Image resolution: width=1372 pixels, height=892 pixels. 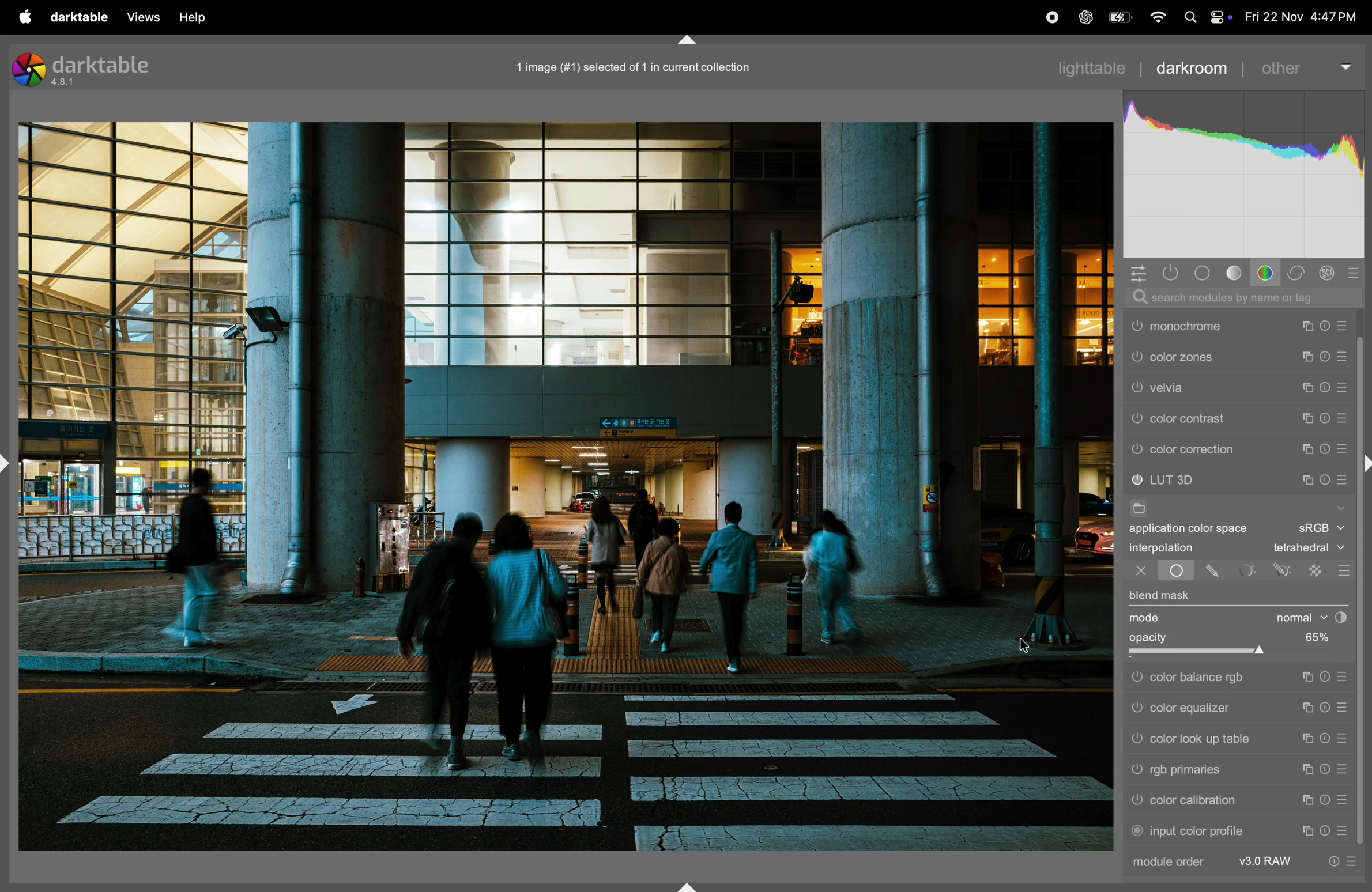 What do you see at coordinates (1134, 272) in the screenshot?
I see `quick access panel` at bounding box center [1134, 272].